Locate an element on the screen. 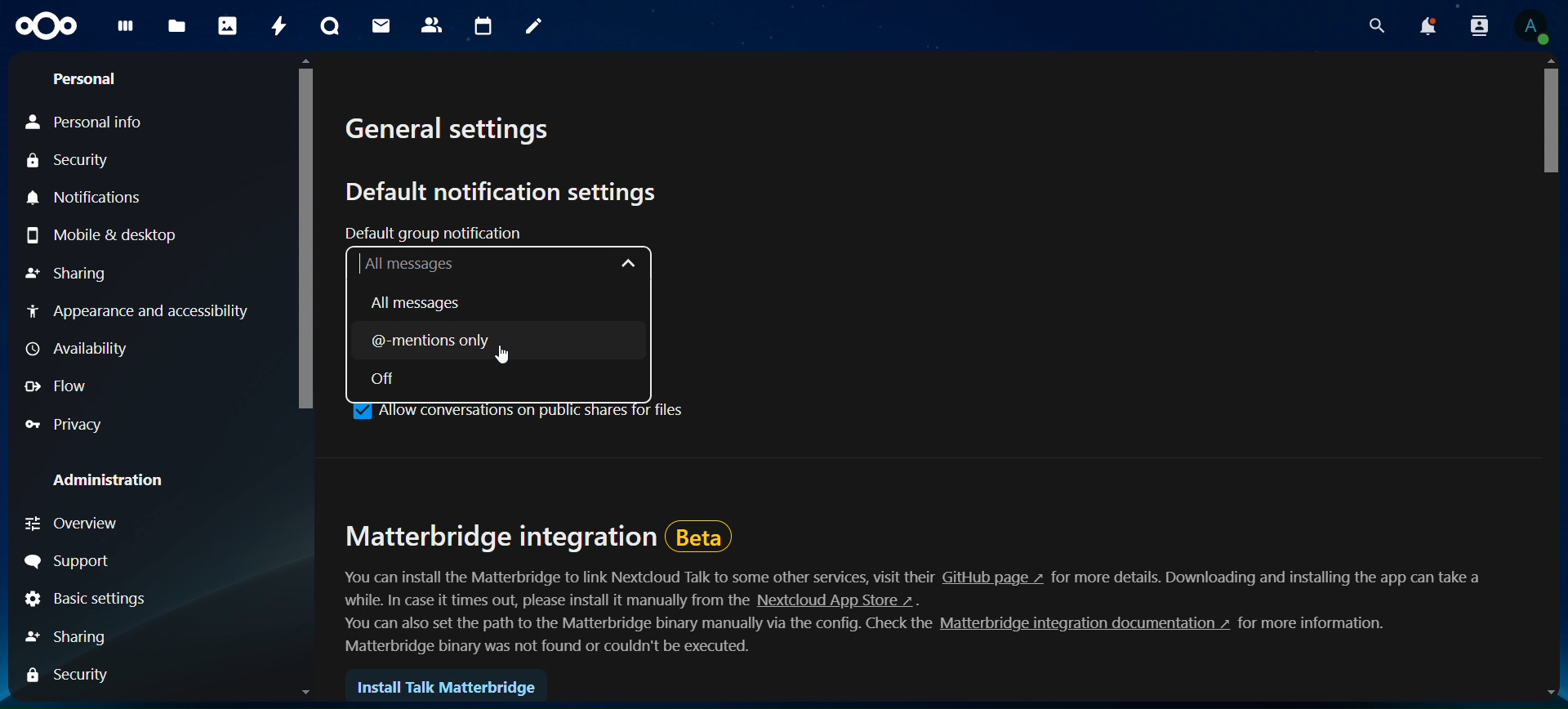 The width and height of the screenshot is (1568, 709). mobile & desktop is located at coordinates (100, 231).